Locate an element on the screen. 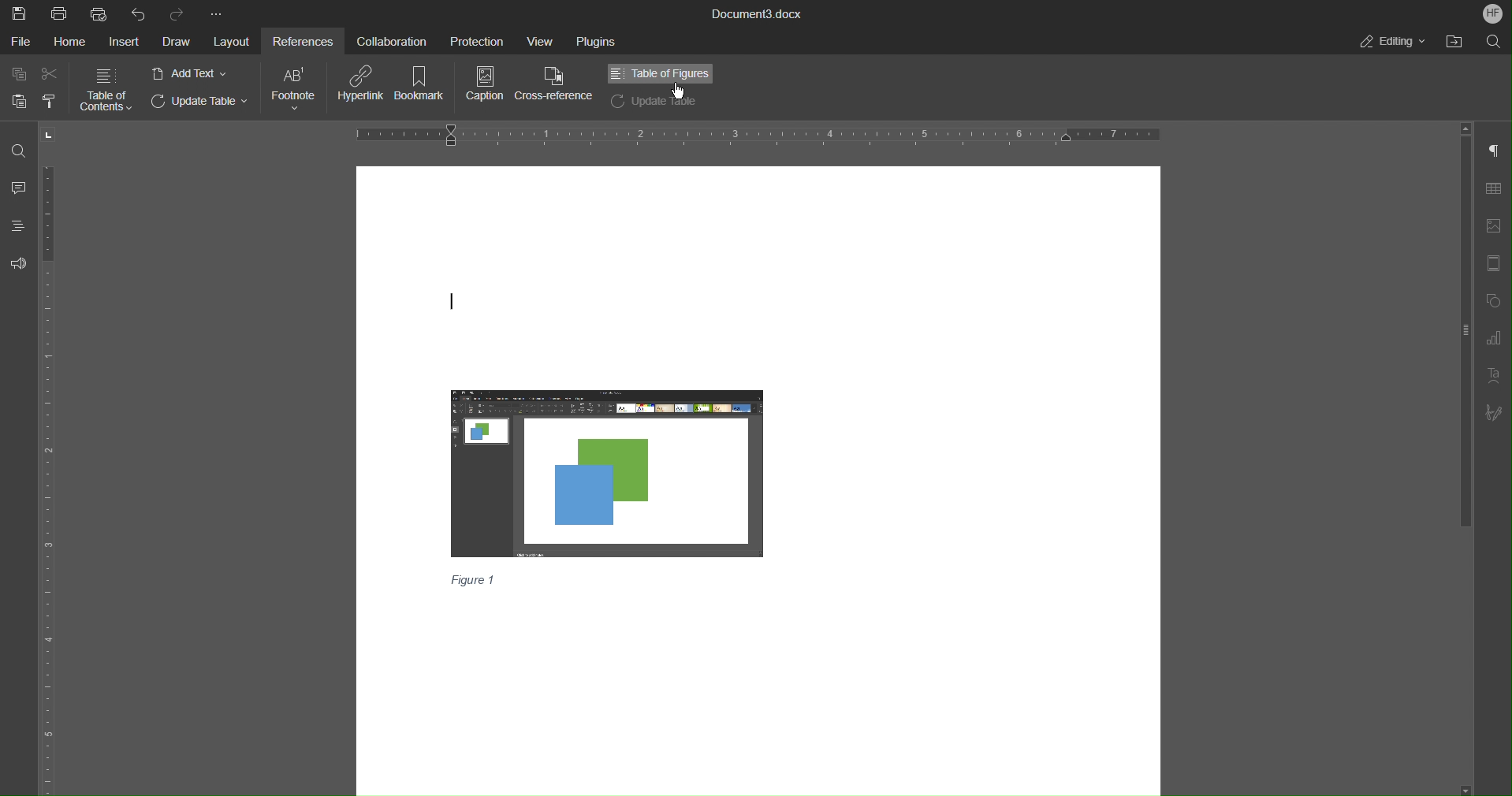  Image is located at coordinates (606, 476).